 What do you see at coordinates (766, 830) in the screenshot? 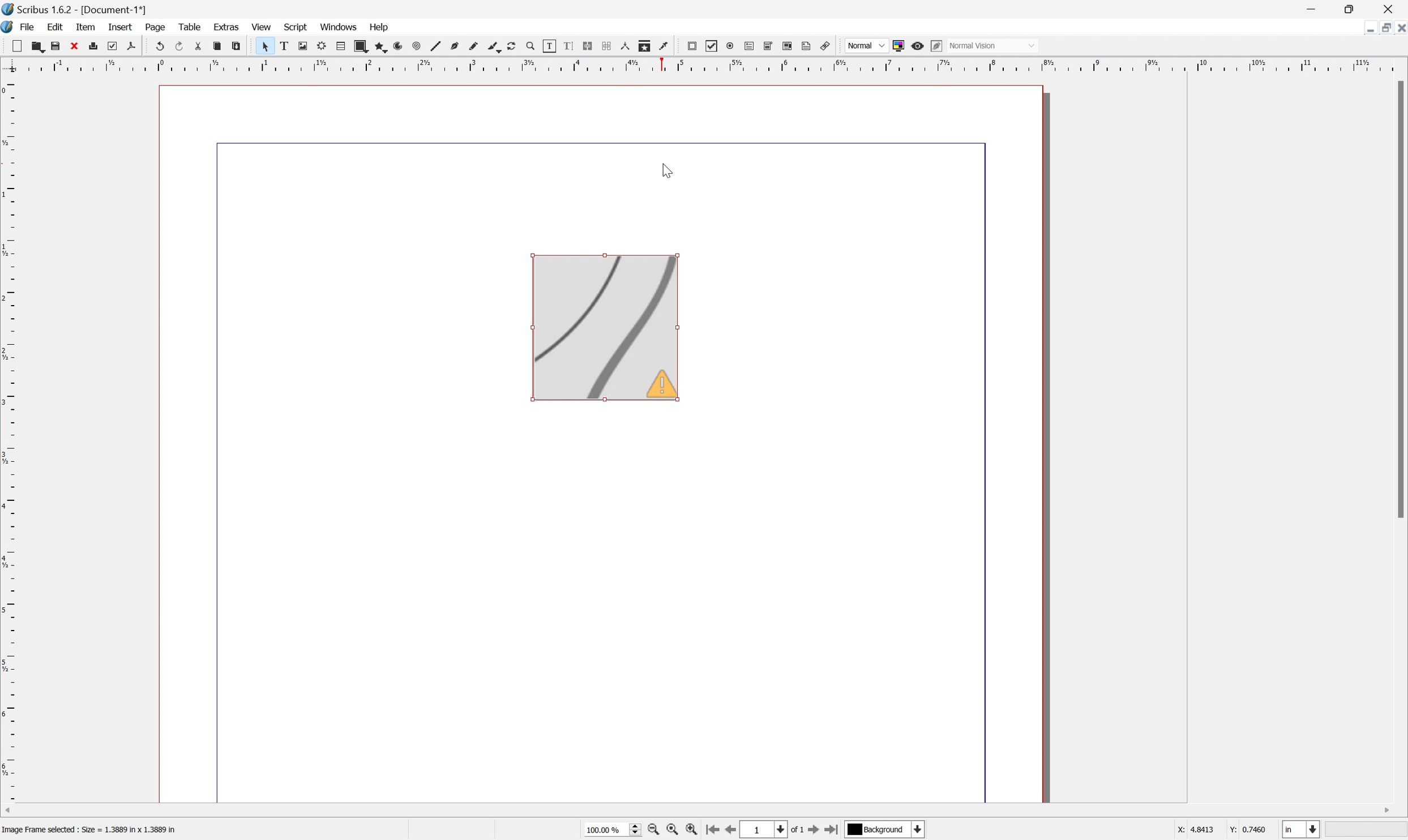
I see `Select the current page` at bounding box center [766, 830].